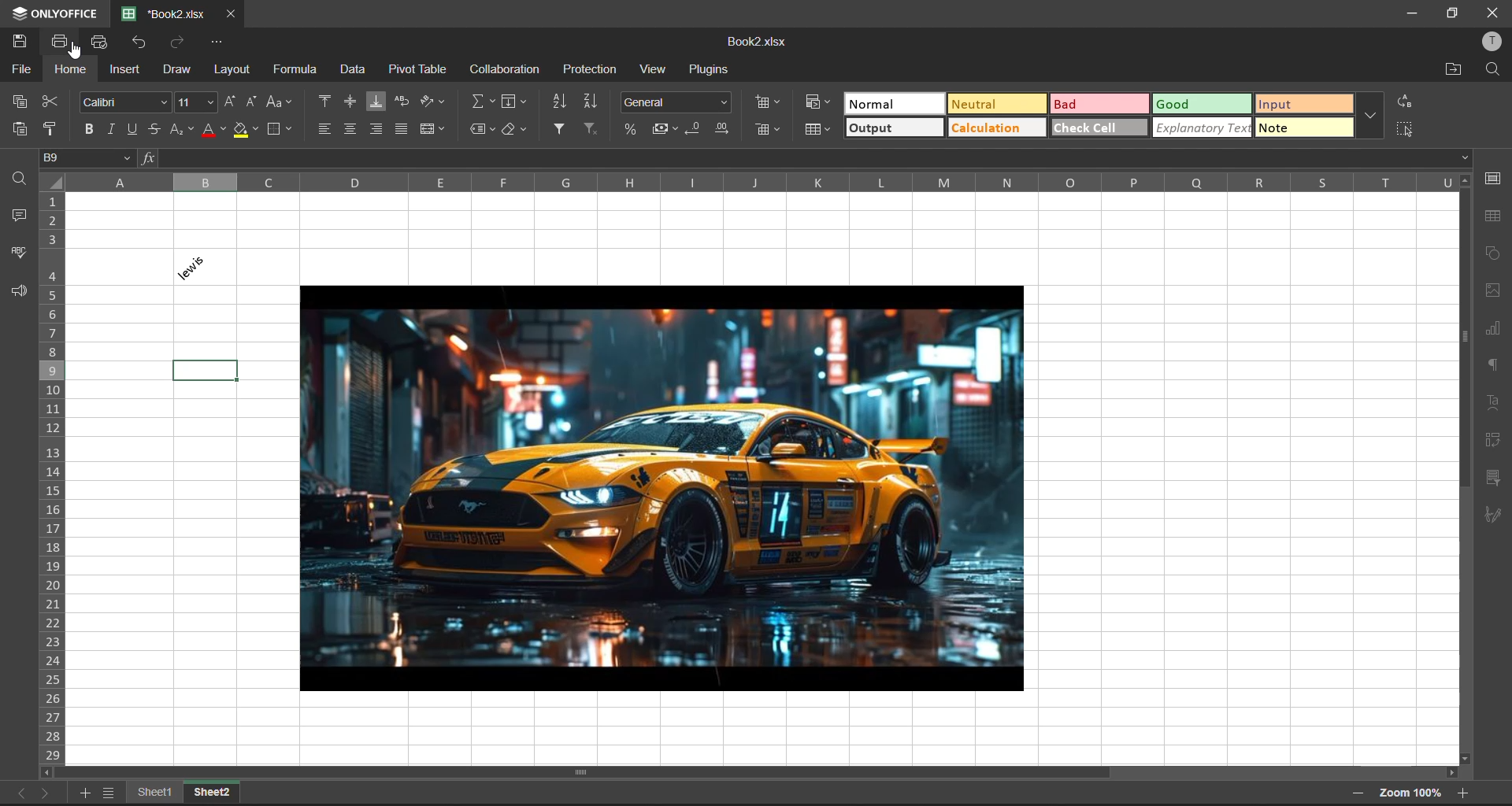 This screenshot has width=1512, height=806. I want to click on formula, so click(294, 71).